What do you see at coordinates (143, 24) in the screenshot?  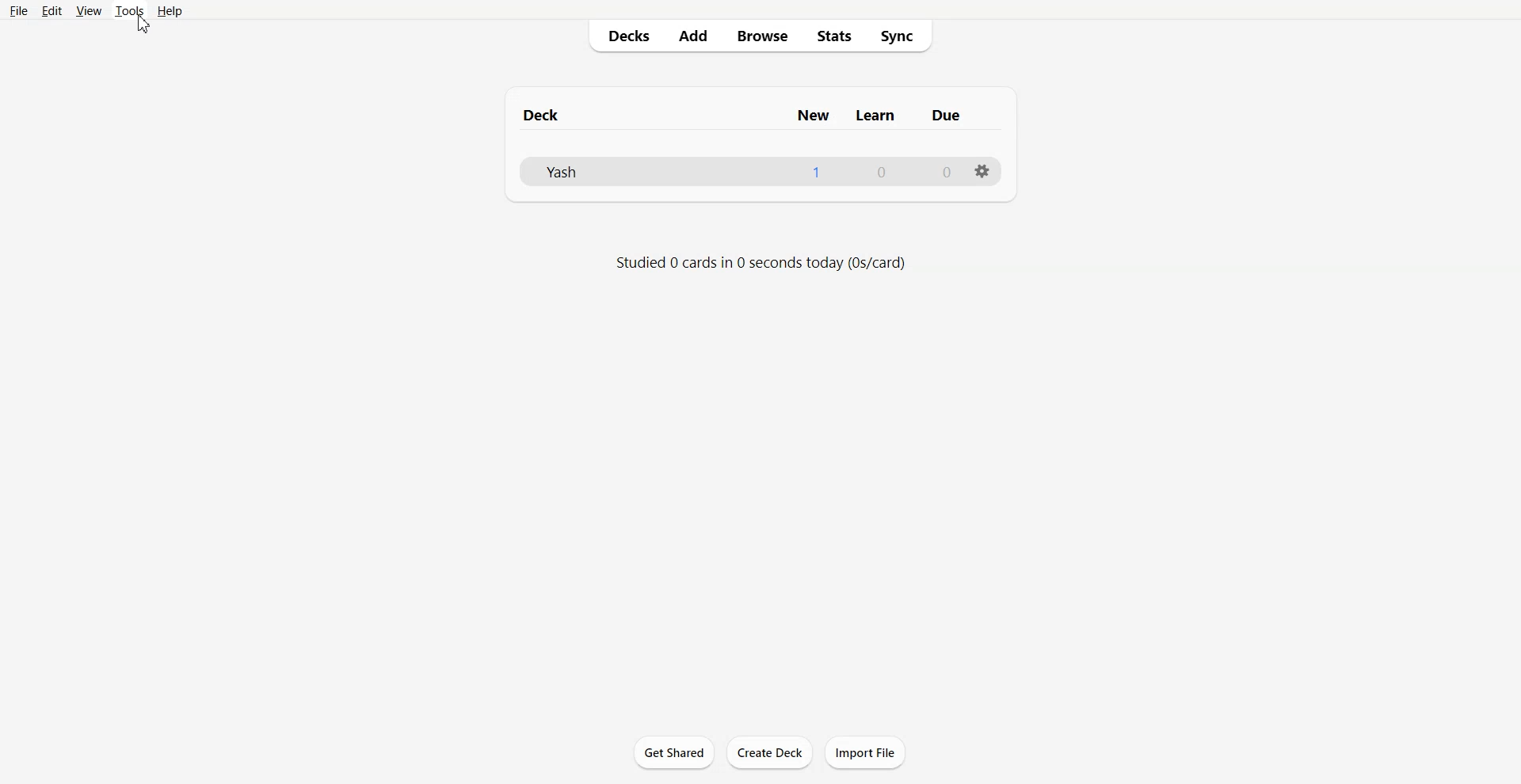 I see `cursor` at bounding box center [143, 24].